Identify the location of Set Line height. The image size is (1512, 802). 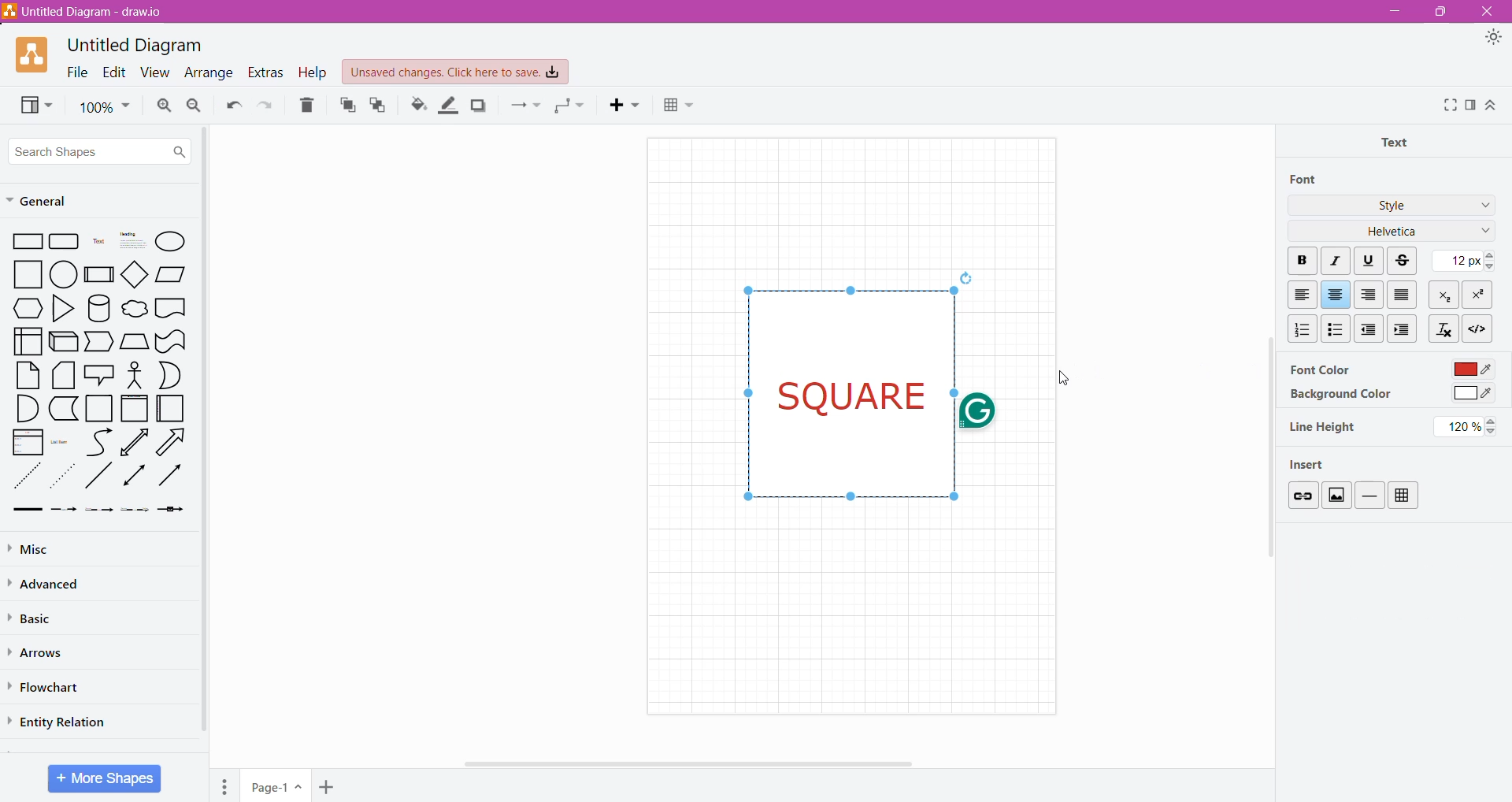
(1469, 426).